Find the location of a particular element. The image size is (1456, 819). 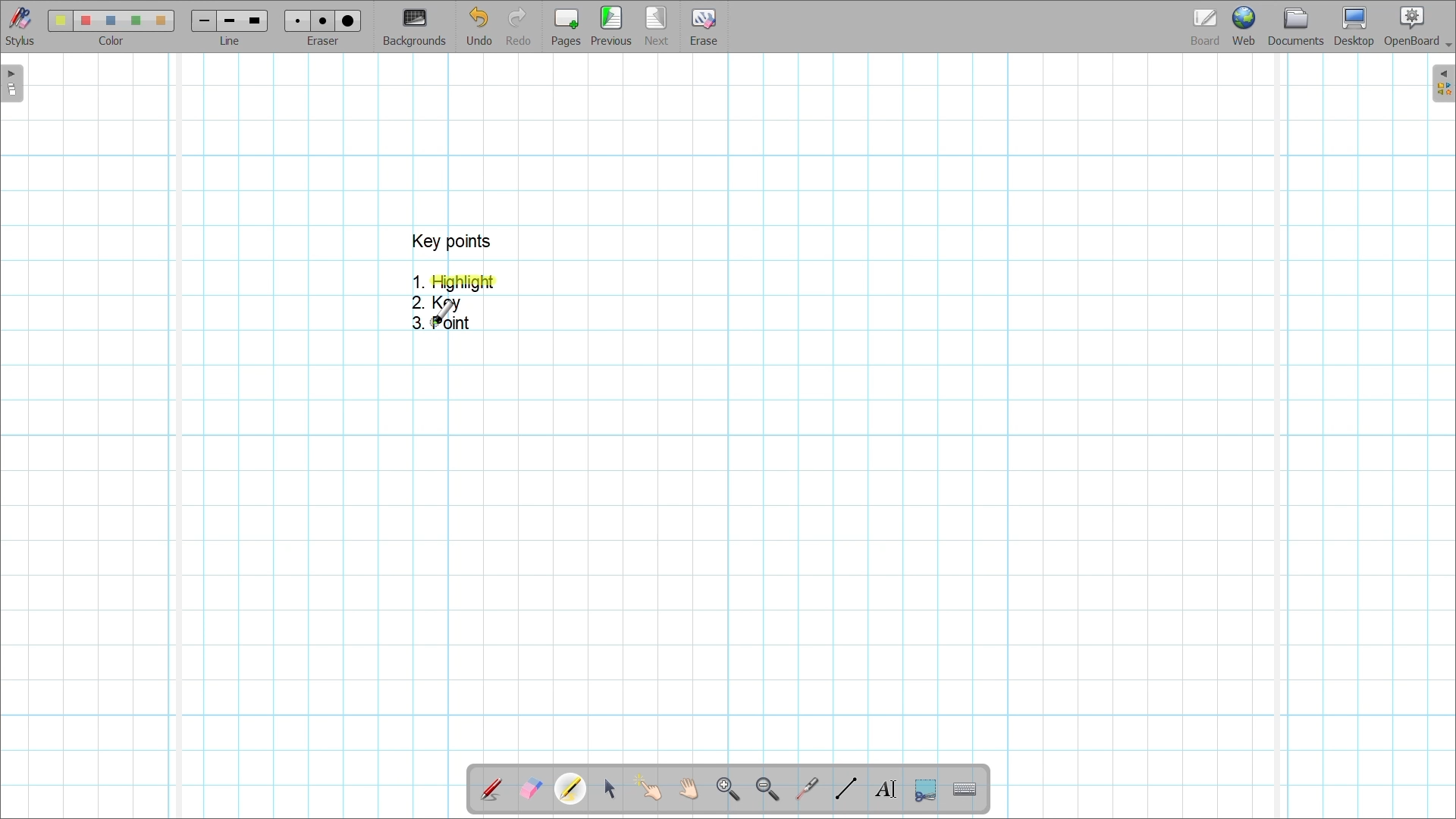

1. Highlight is located at coordinates (457, 283).